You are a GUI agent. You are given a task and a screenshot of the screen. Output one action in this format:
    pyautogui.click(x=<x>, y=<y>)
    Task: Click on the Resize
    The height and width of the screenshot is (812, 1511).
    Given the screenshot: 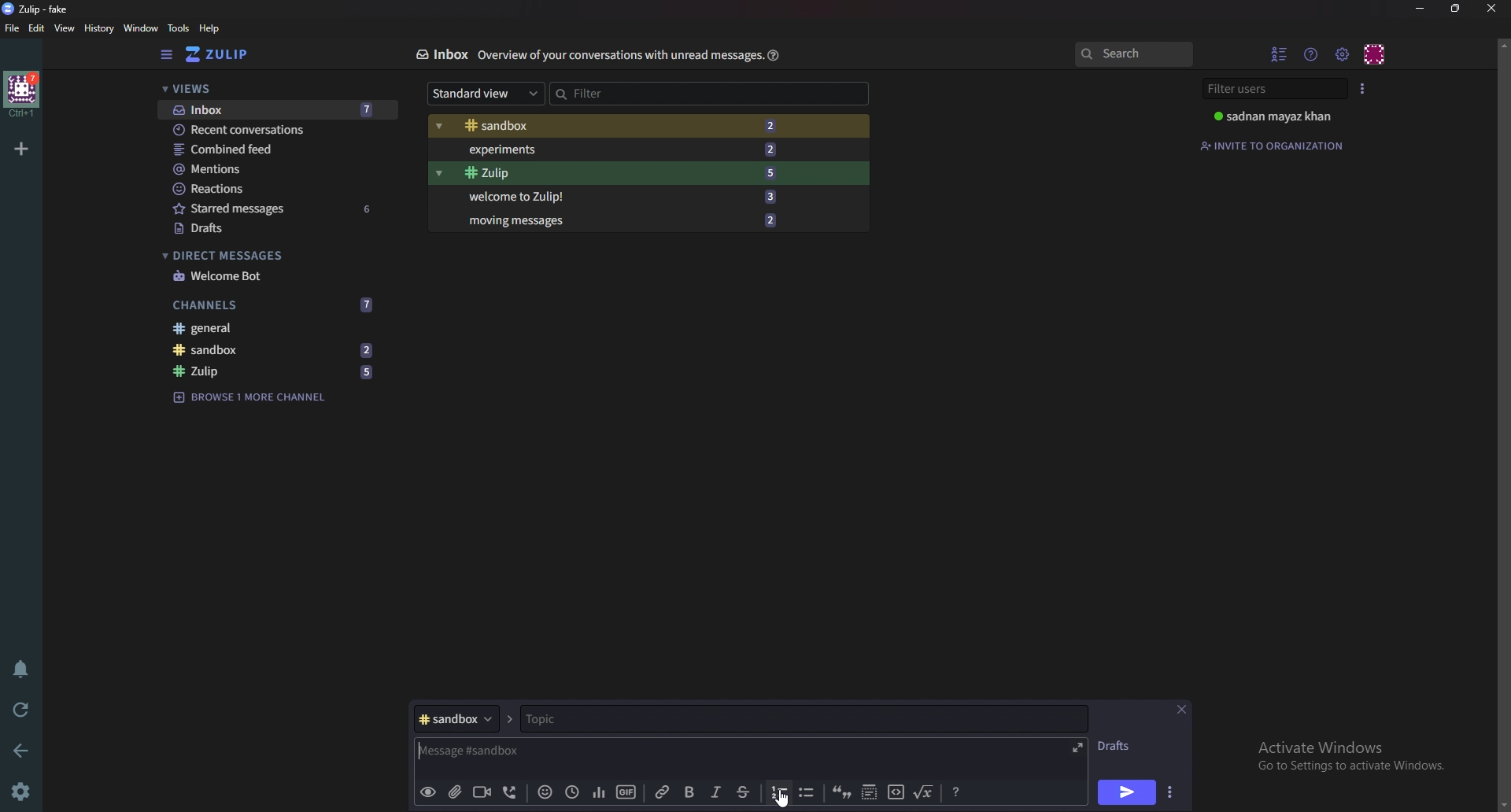 What is the action you would take?
    pyautogui.click(x=1456, y=9)
    